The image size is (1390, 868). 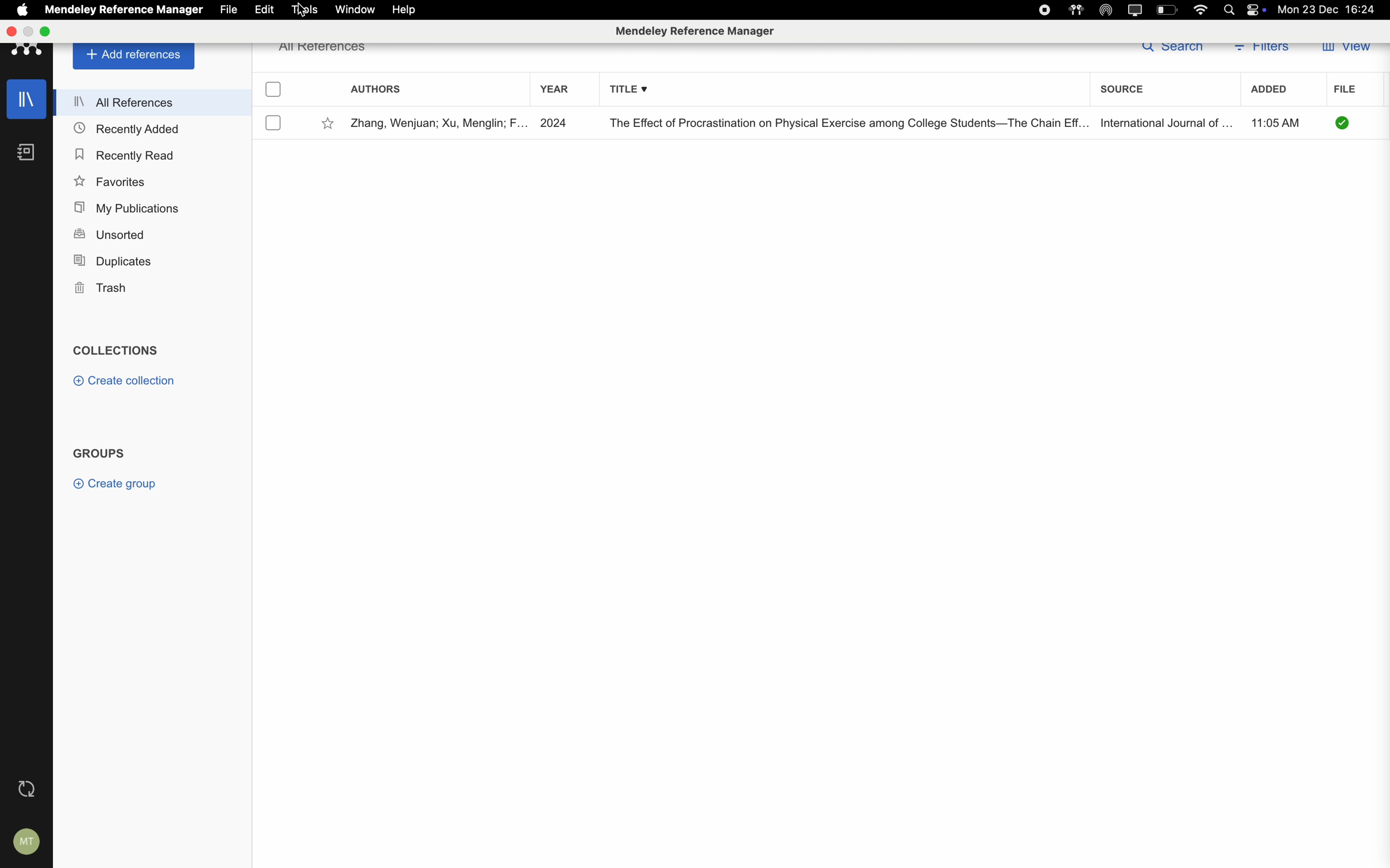 I want to click on hour, so click(x=1280, y=121).